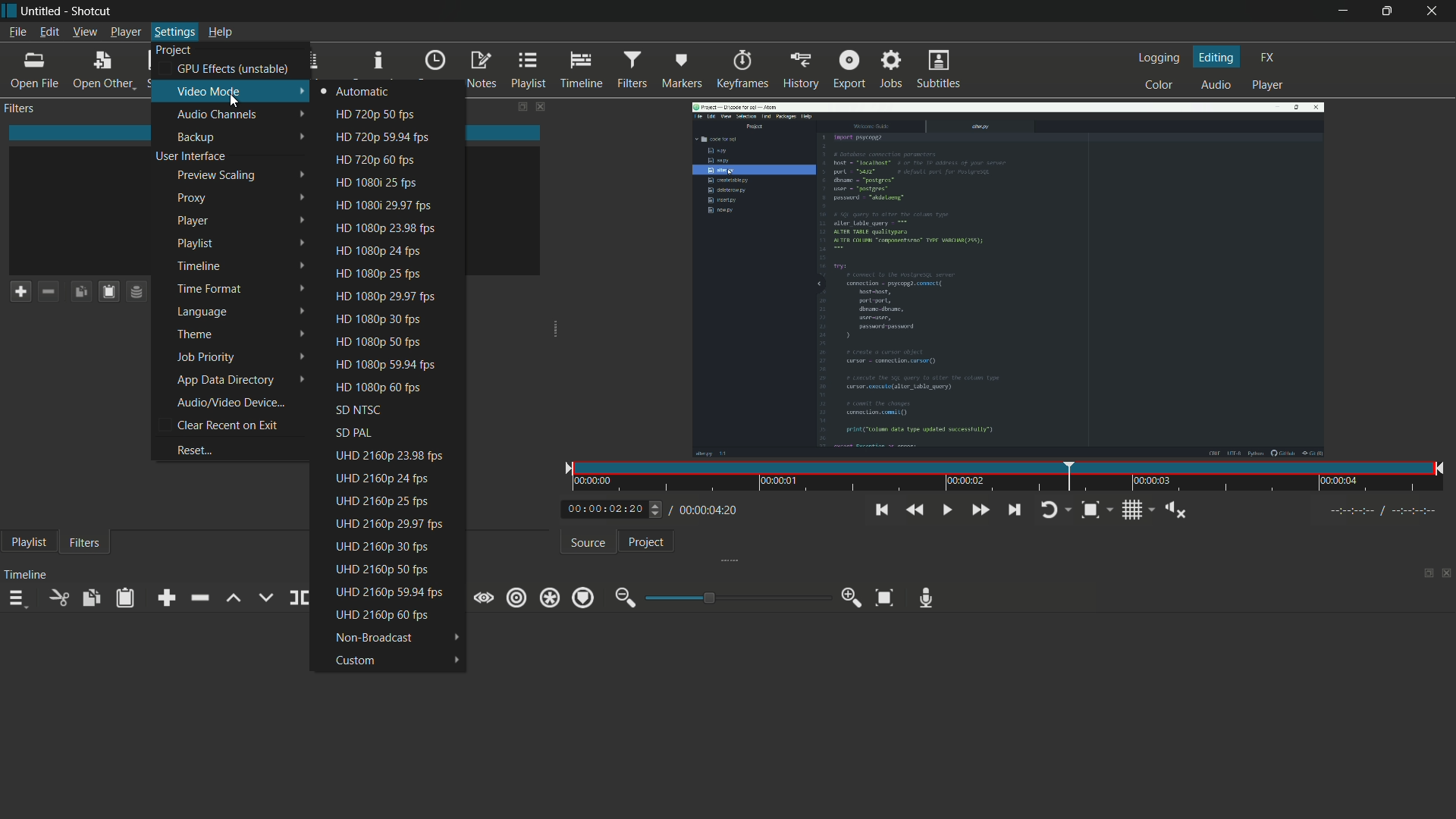  What do you see at coordinates (20, 108) in the screenshot?
I see `filters` at bounding box center [20, 108].